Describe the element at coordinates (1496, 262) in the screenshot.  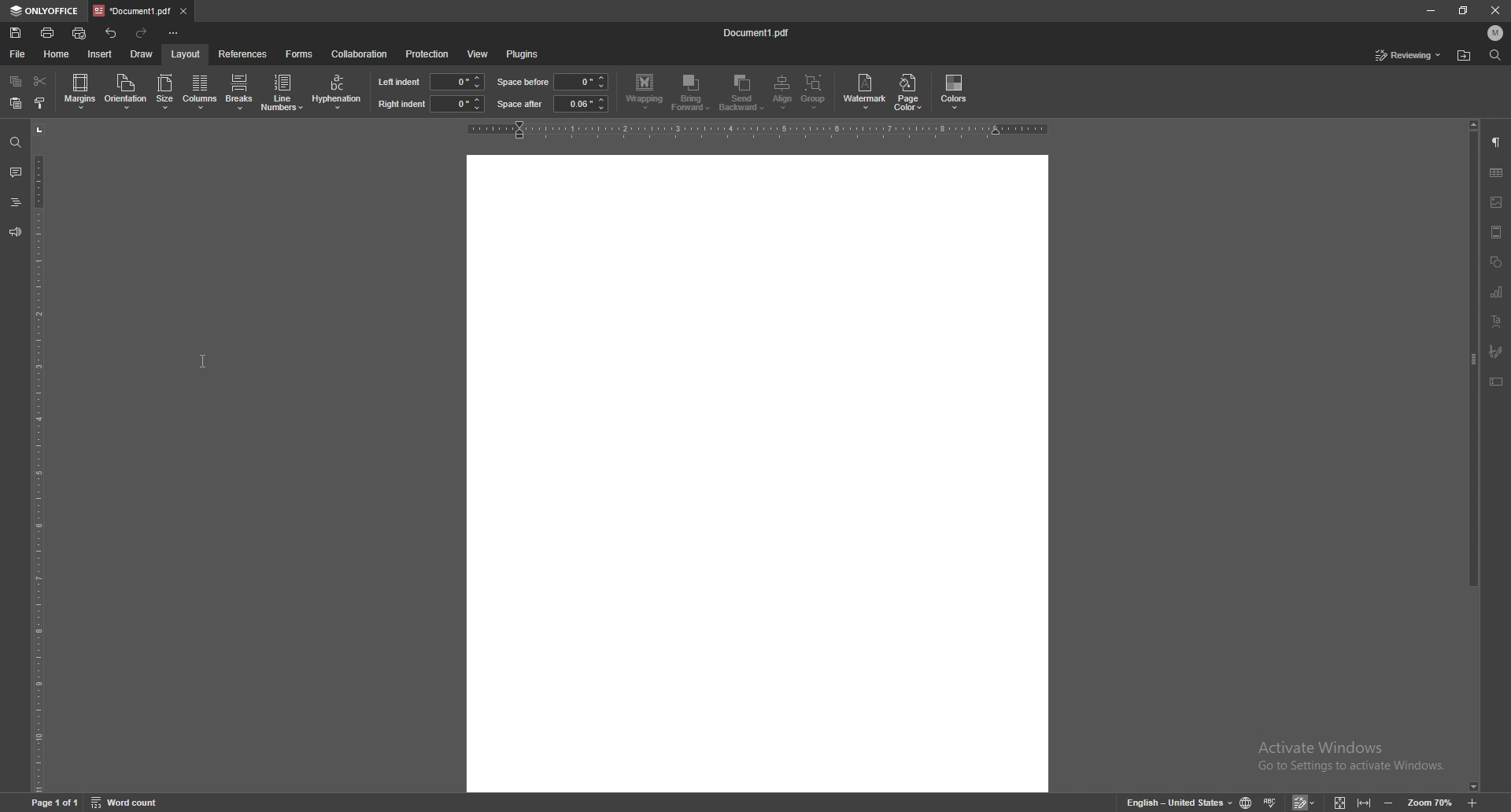
I see `shapes` at that location.